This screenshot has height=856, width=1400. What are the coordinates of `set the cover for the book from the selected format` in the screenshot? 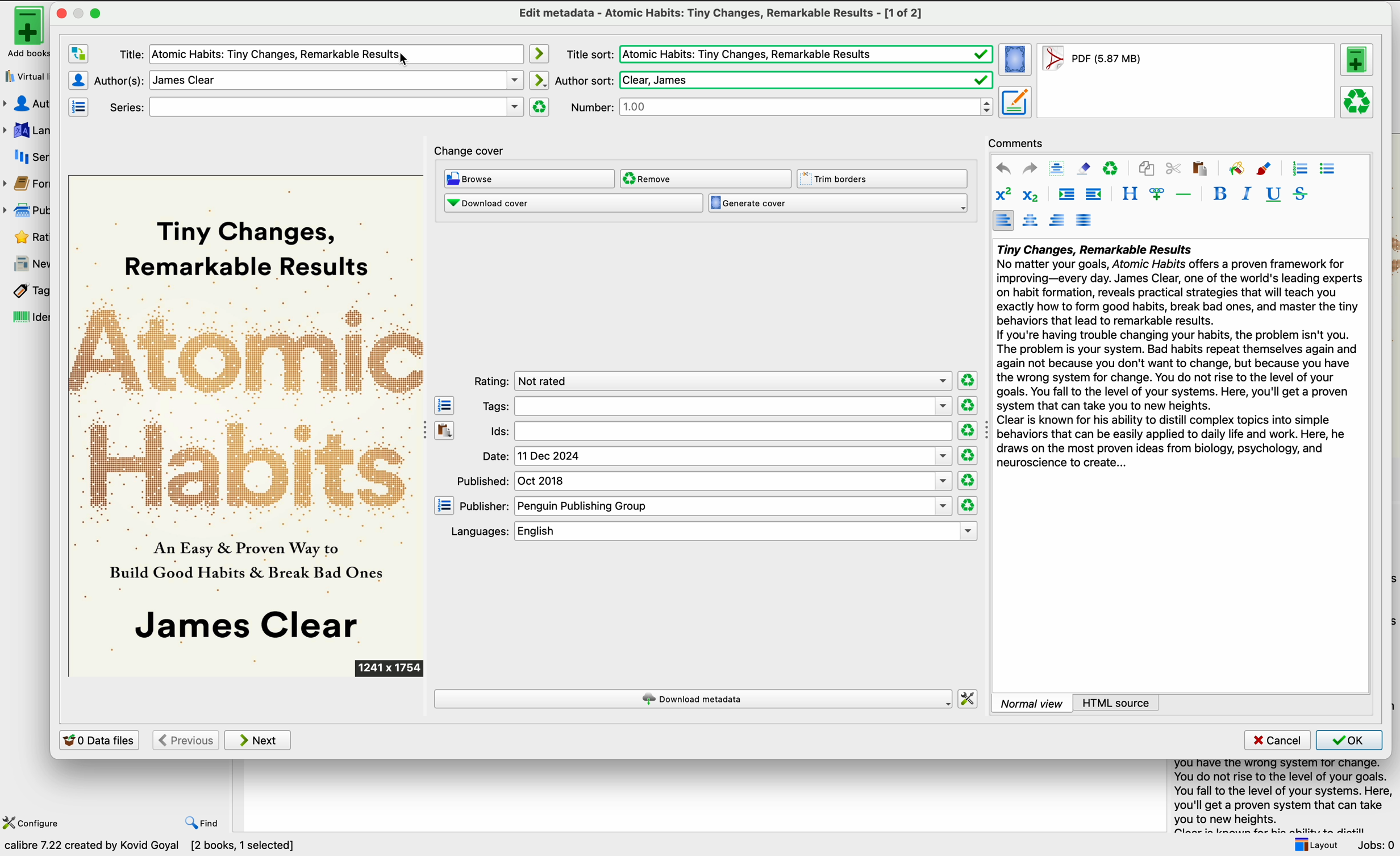 It's located at (1016, 61).